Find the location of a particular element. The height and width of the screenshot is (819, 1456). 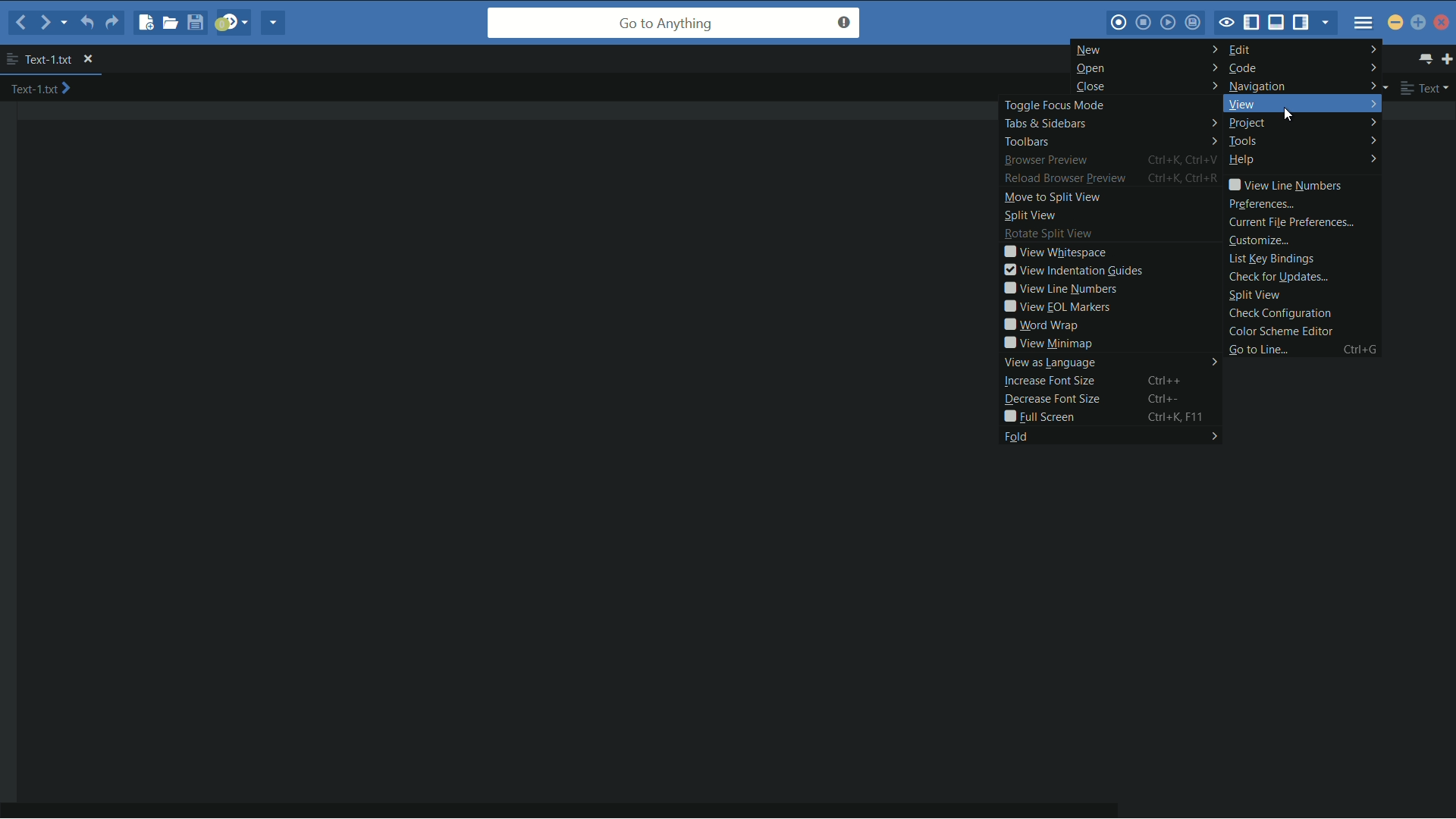

Ctrl+K, Ctrl+V is located at coordinates (1181, 158).